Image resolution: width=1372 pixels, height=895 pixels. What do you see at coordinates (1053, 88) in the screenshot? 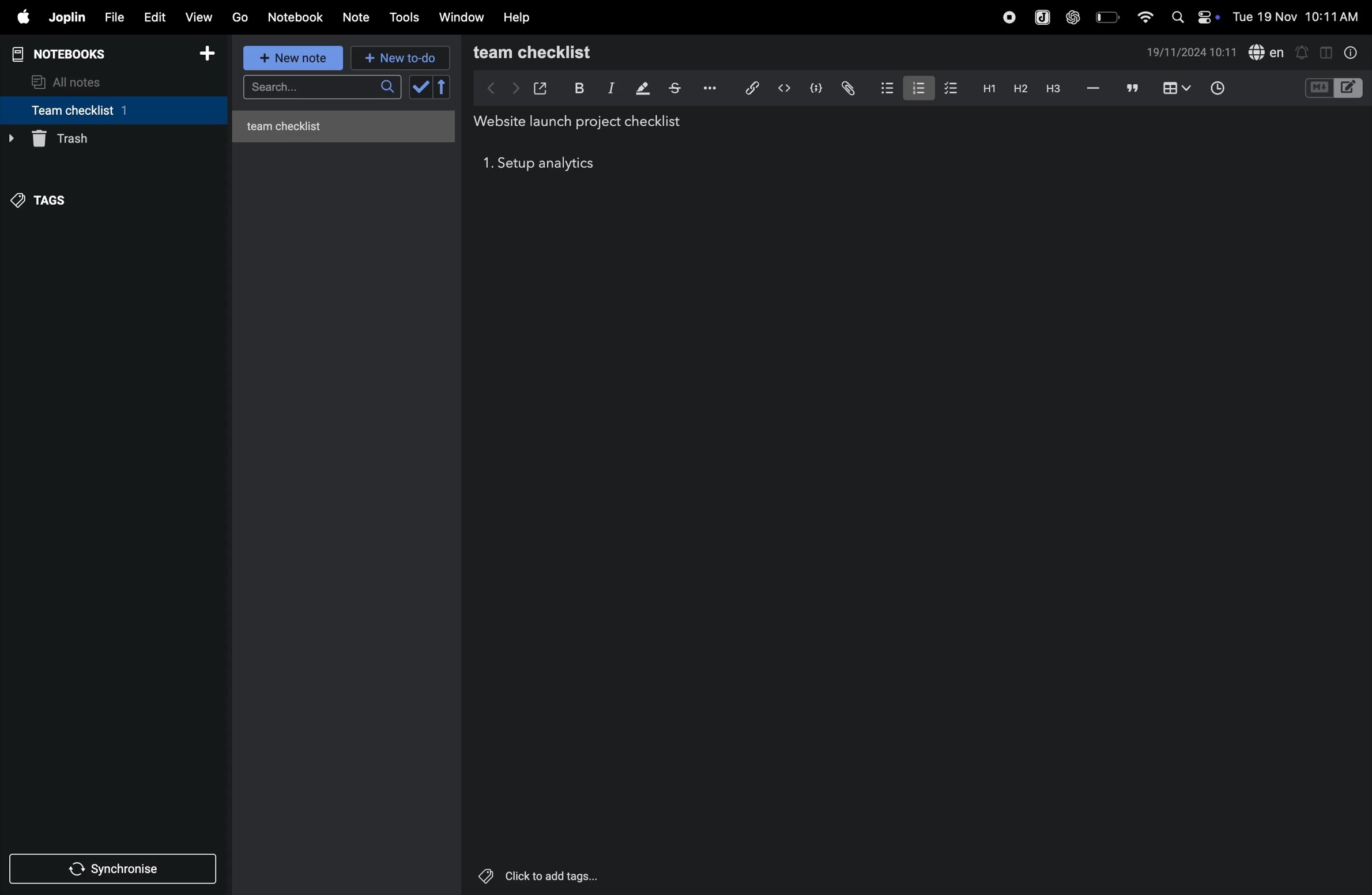
I see `heading 3` at bounding box center [1053, 88].